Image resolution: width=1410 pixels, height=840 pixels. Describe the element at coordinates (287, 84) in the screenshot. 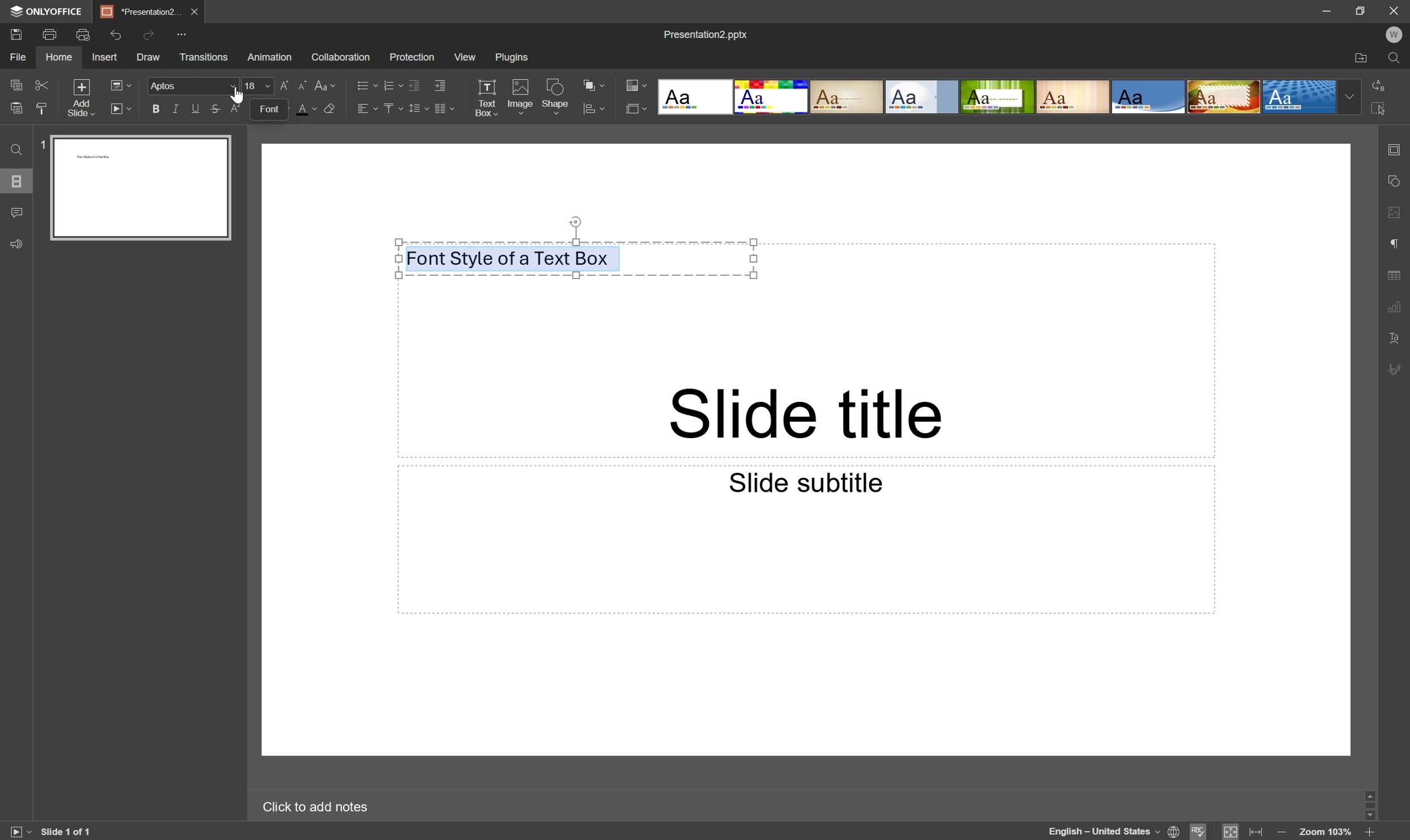

I see `Increment font size` at that location.